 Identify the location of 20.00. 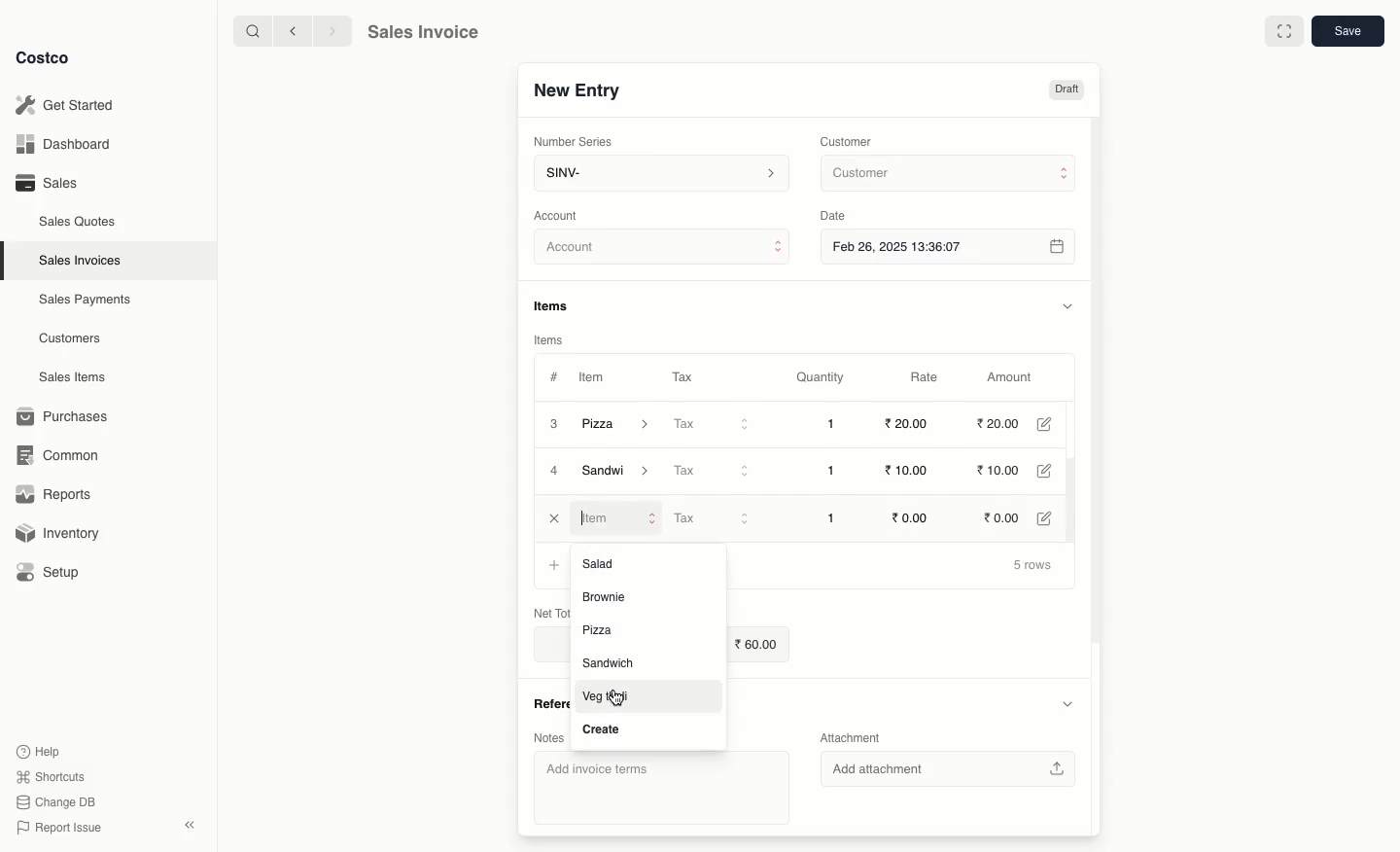
(1000, 424).